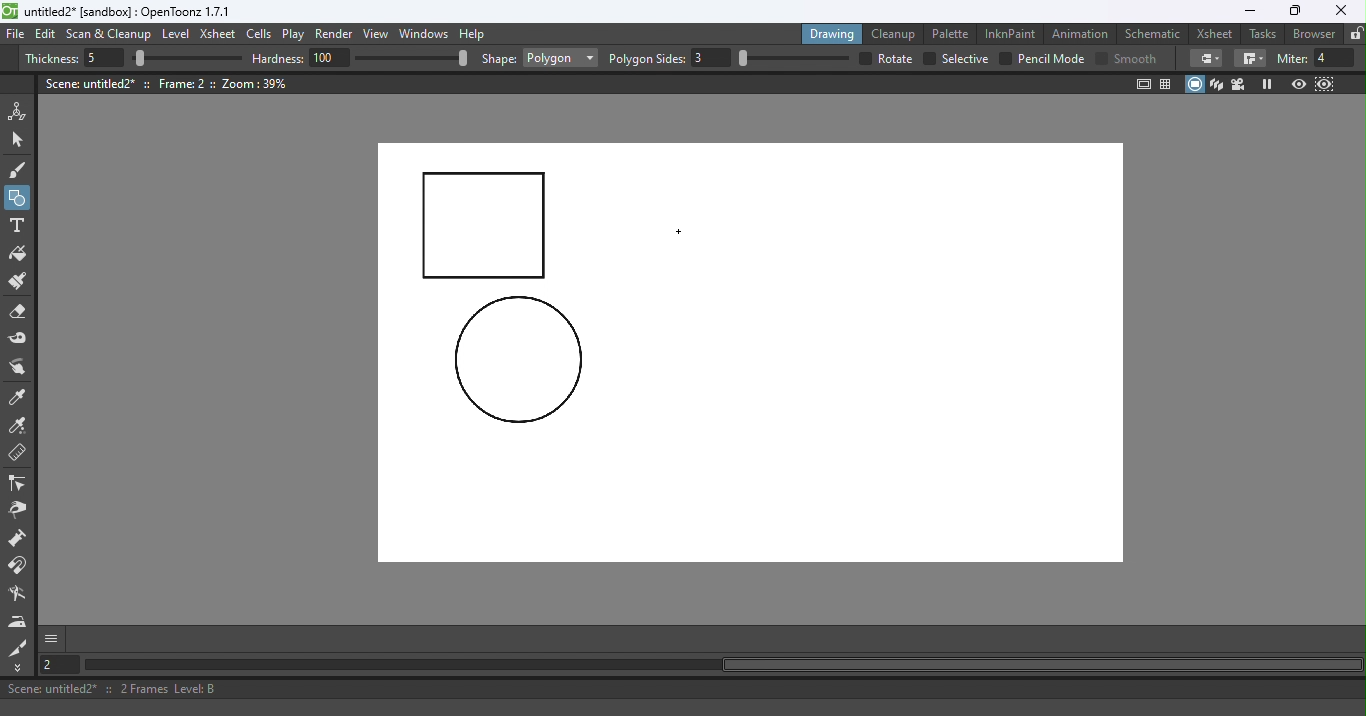 Image resolution: width=1366 pixels, height=716 pixels. What do you see at coordinates (379, 36) in the screenshot?
I see `View` at bounding box center [379, 36].